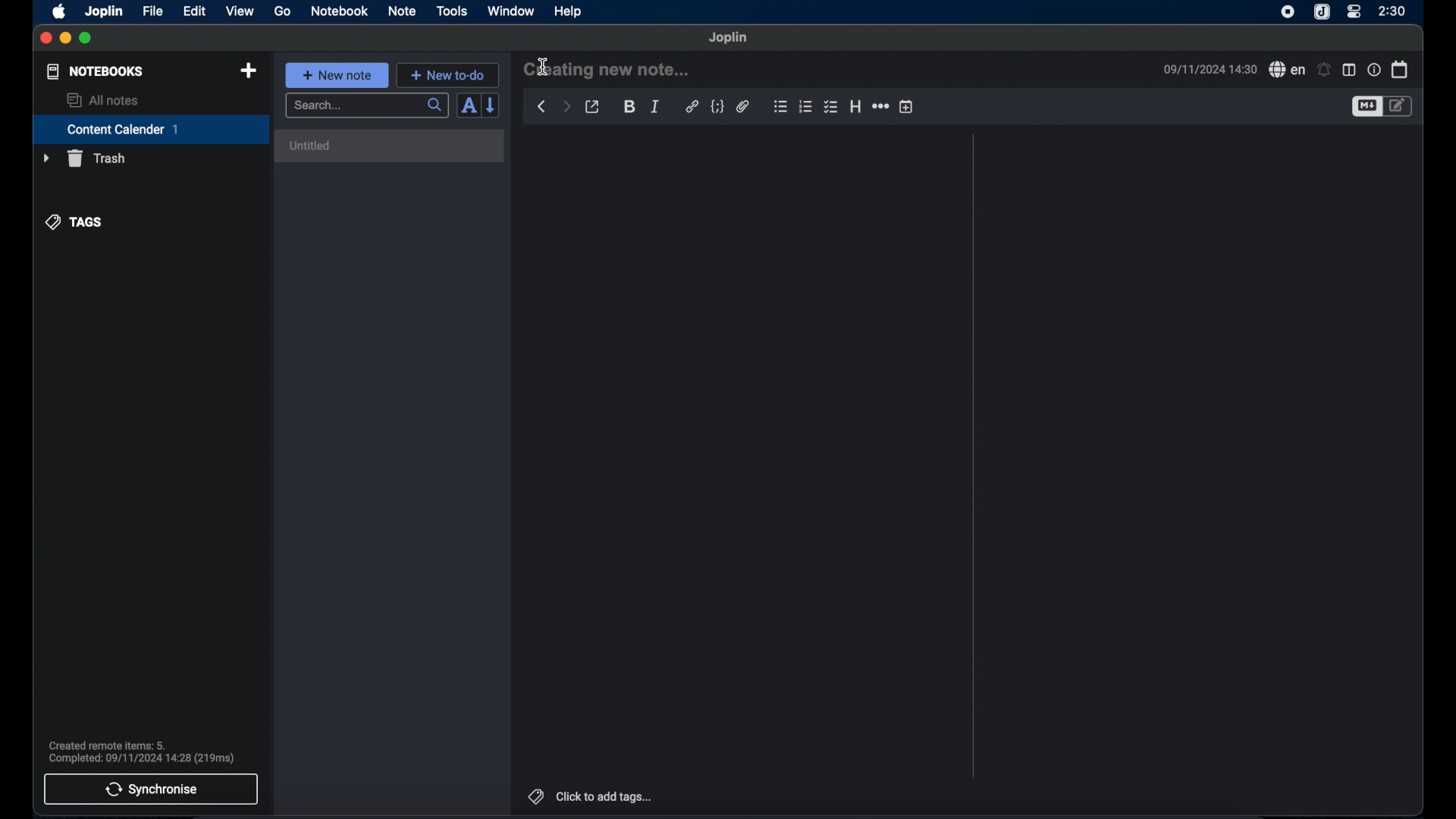 This screenshot has width=1456, height=819. I want to click on setalarm, so click(1324, 69).